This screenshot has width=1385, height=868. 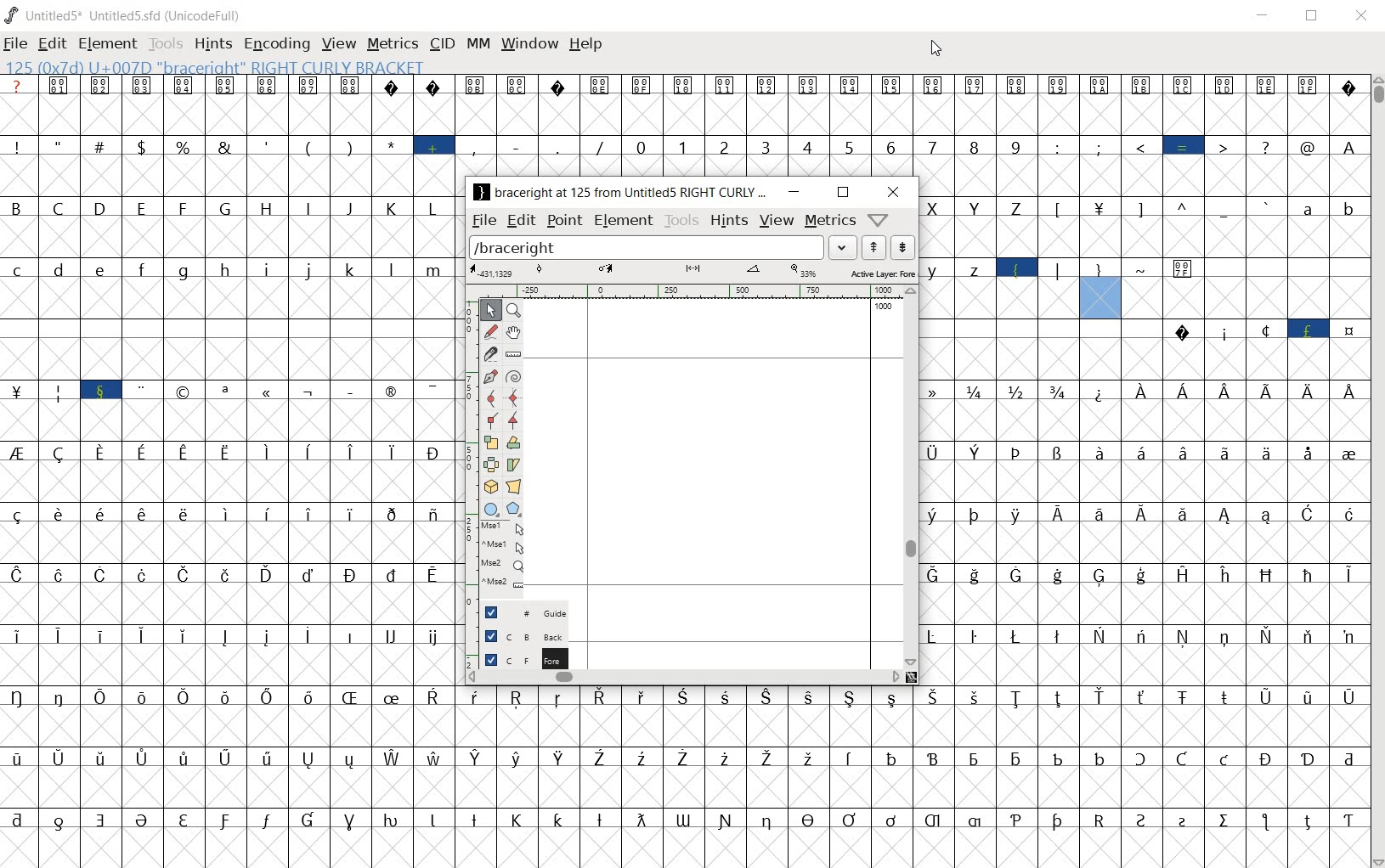 What do you see at coordinates (564, 220) in the screenshot?
I see `point` at bounding box center [564, 220].